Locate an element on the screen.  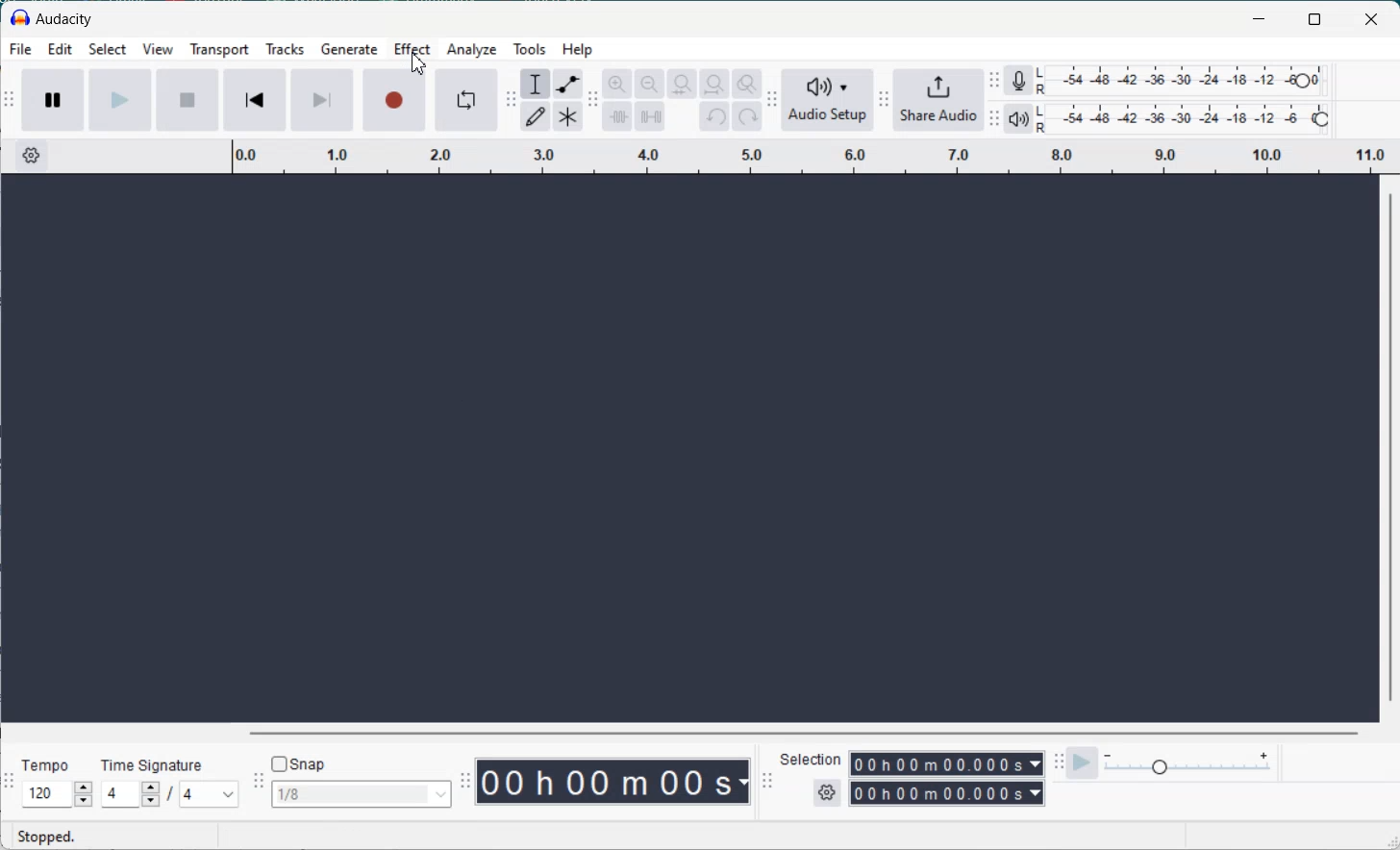
Trim outside audio selection is located at coordinates (616, 114).